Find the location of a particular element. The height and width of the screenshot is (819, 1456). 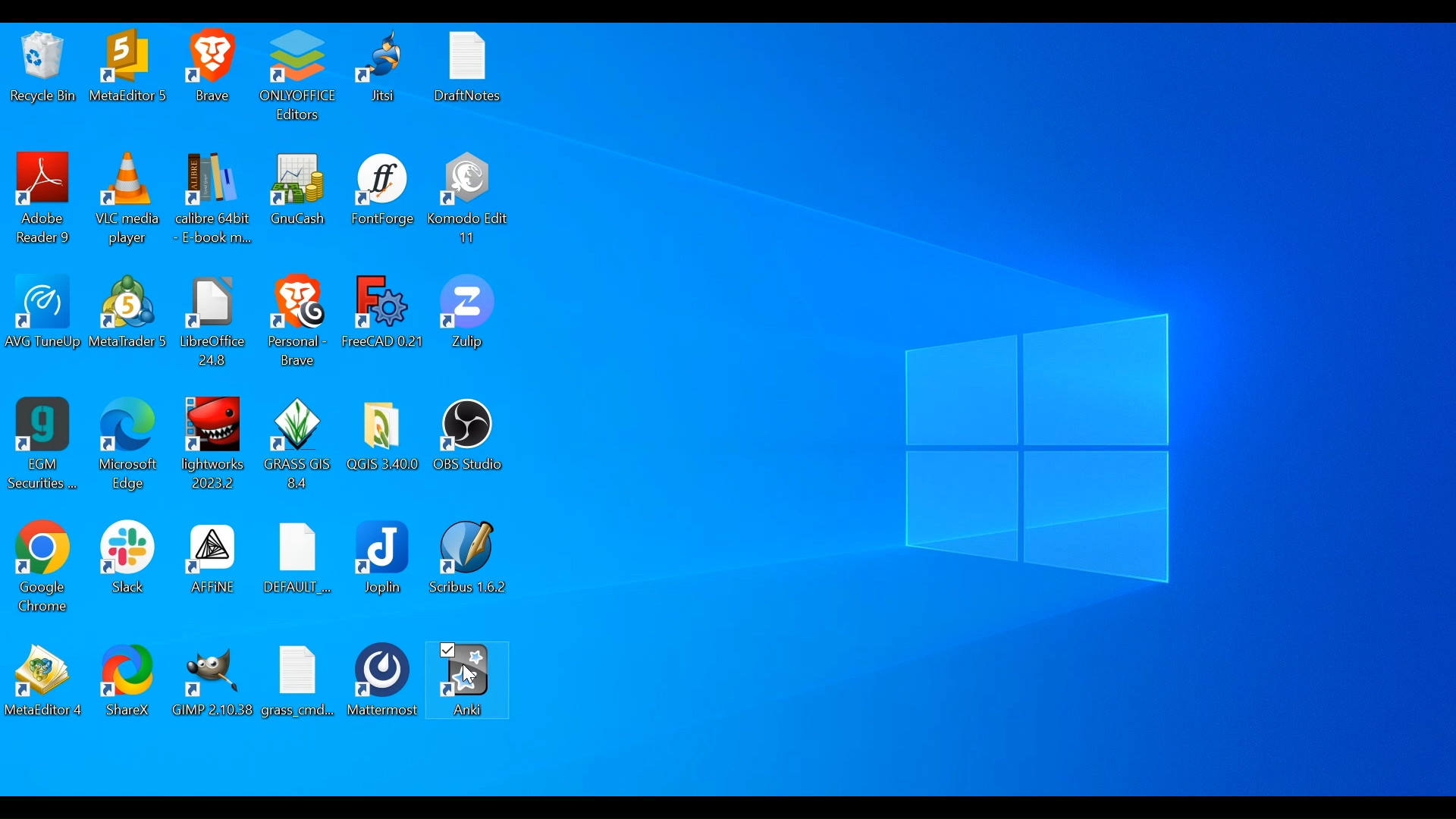

Scribus Desktop icon is located at coordinates (468, 560).